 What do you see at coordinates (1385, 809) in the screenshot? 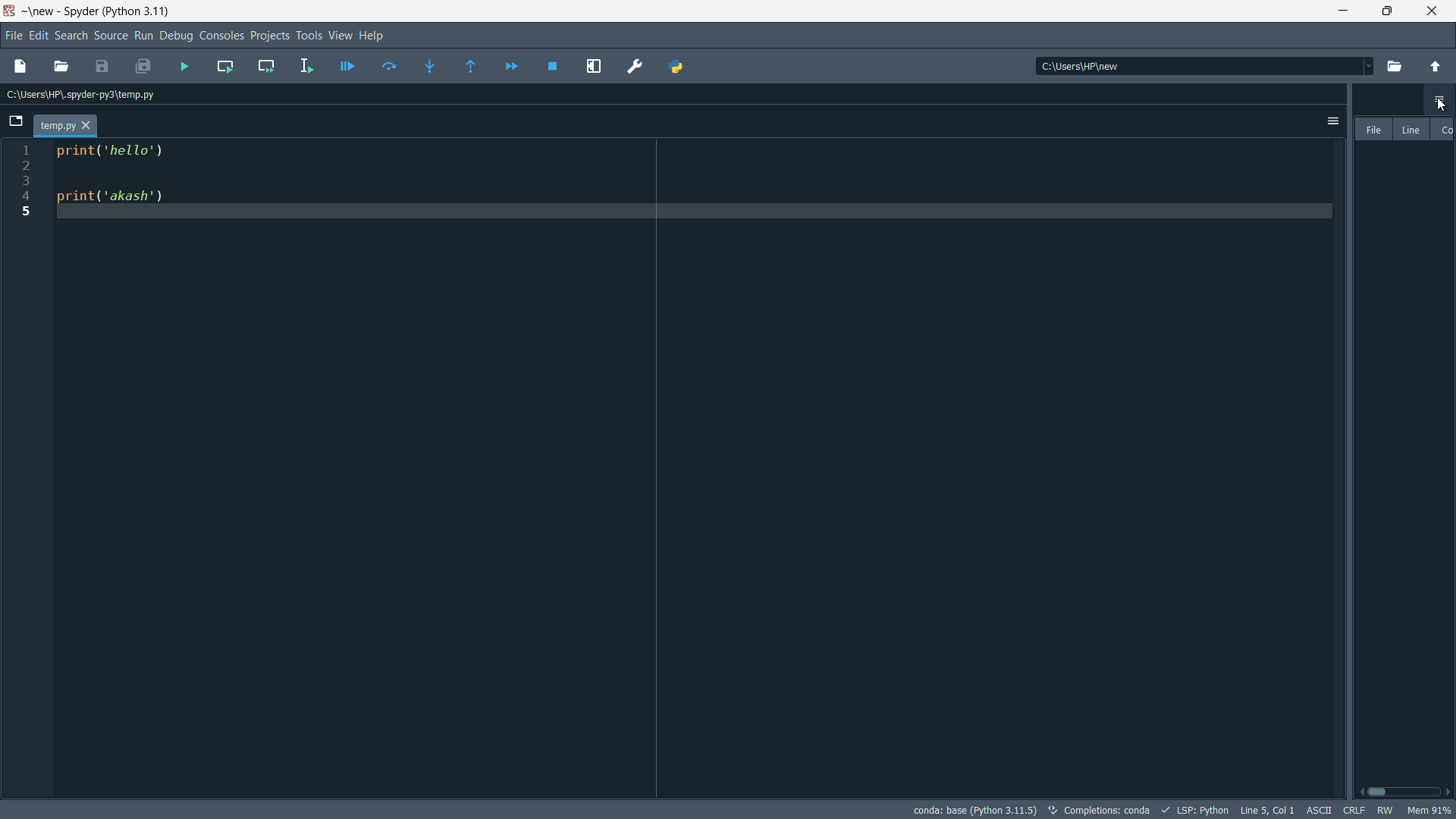
I see `RW` at bounding box center [1385, 809].